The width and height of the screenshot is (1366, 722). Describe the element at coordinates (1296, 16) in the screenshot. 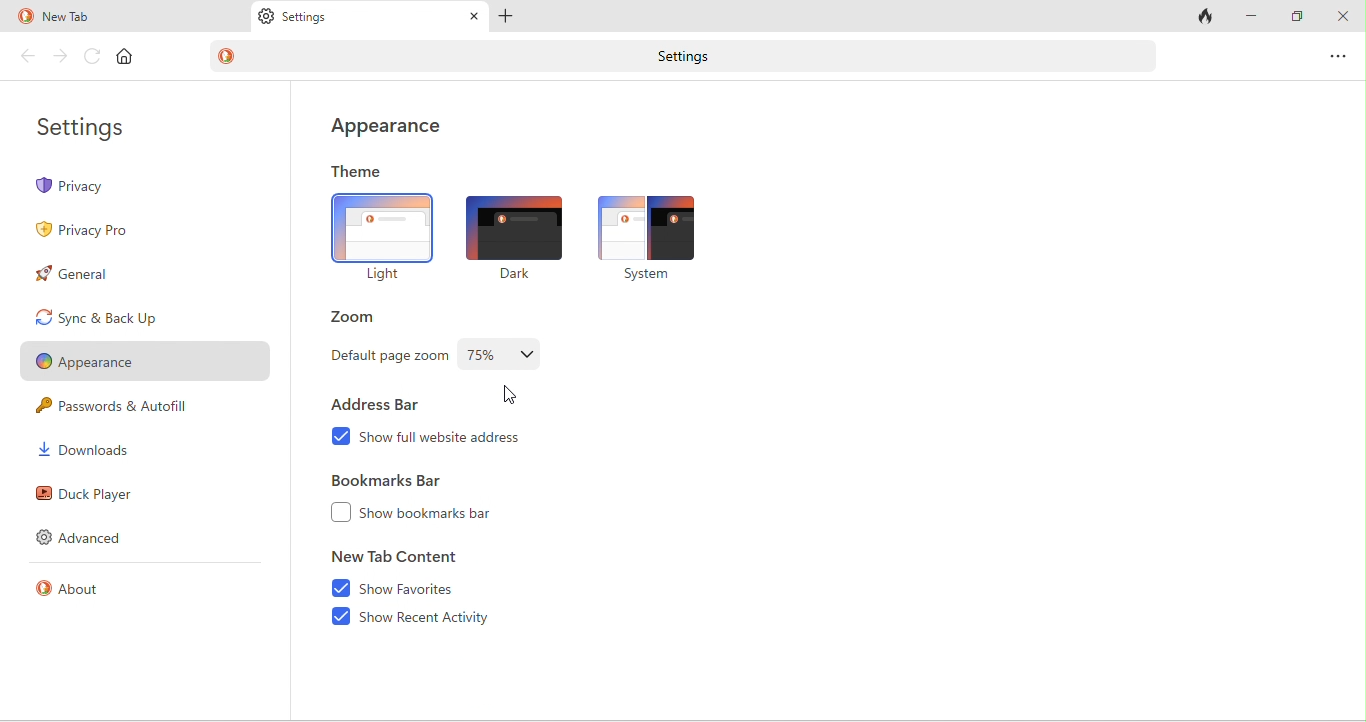

I see `maximize` at that location.